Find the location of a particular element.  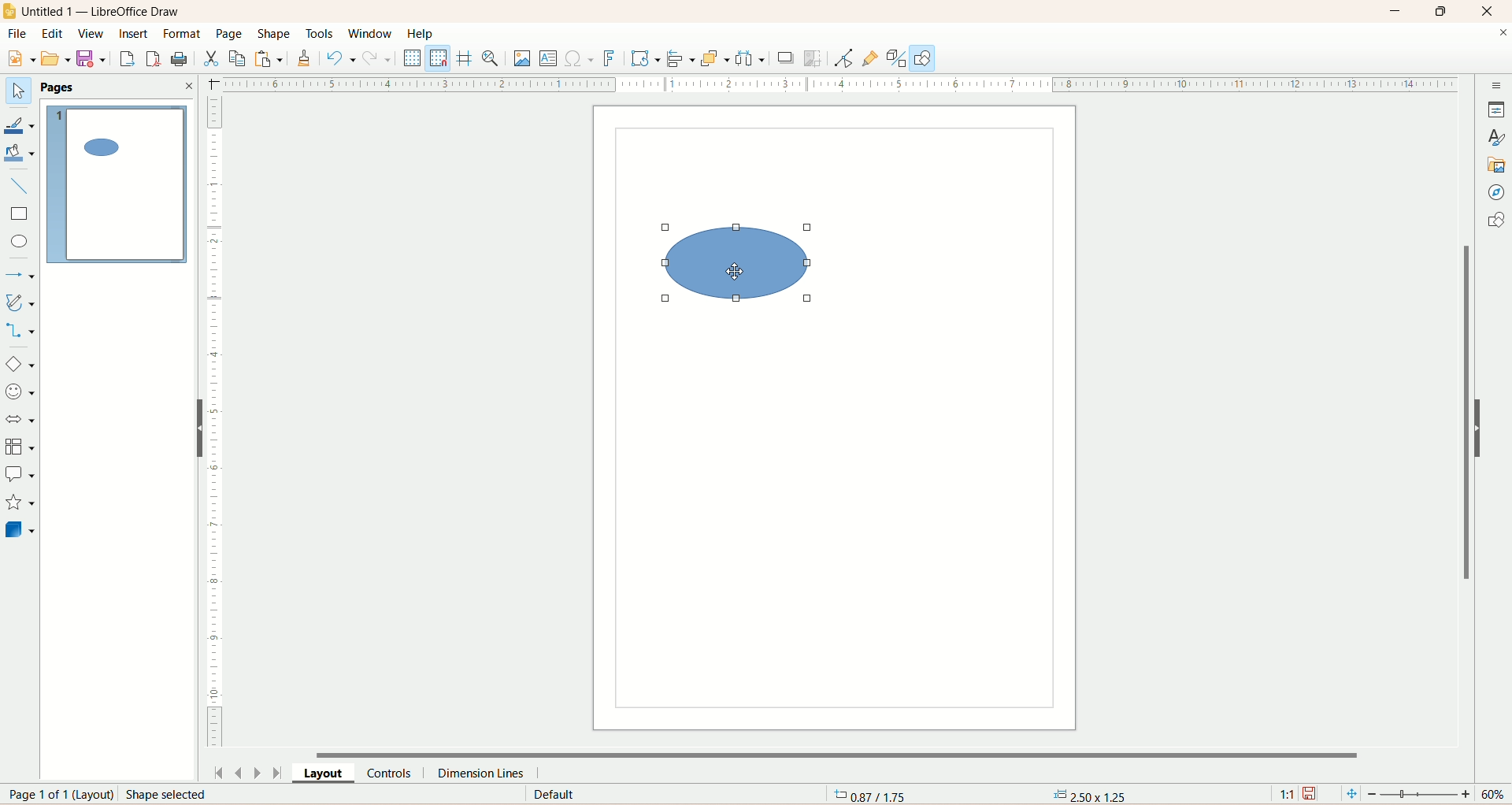

navigator is located at coordinates (1499, 194).